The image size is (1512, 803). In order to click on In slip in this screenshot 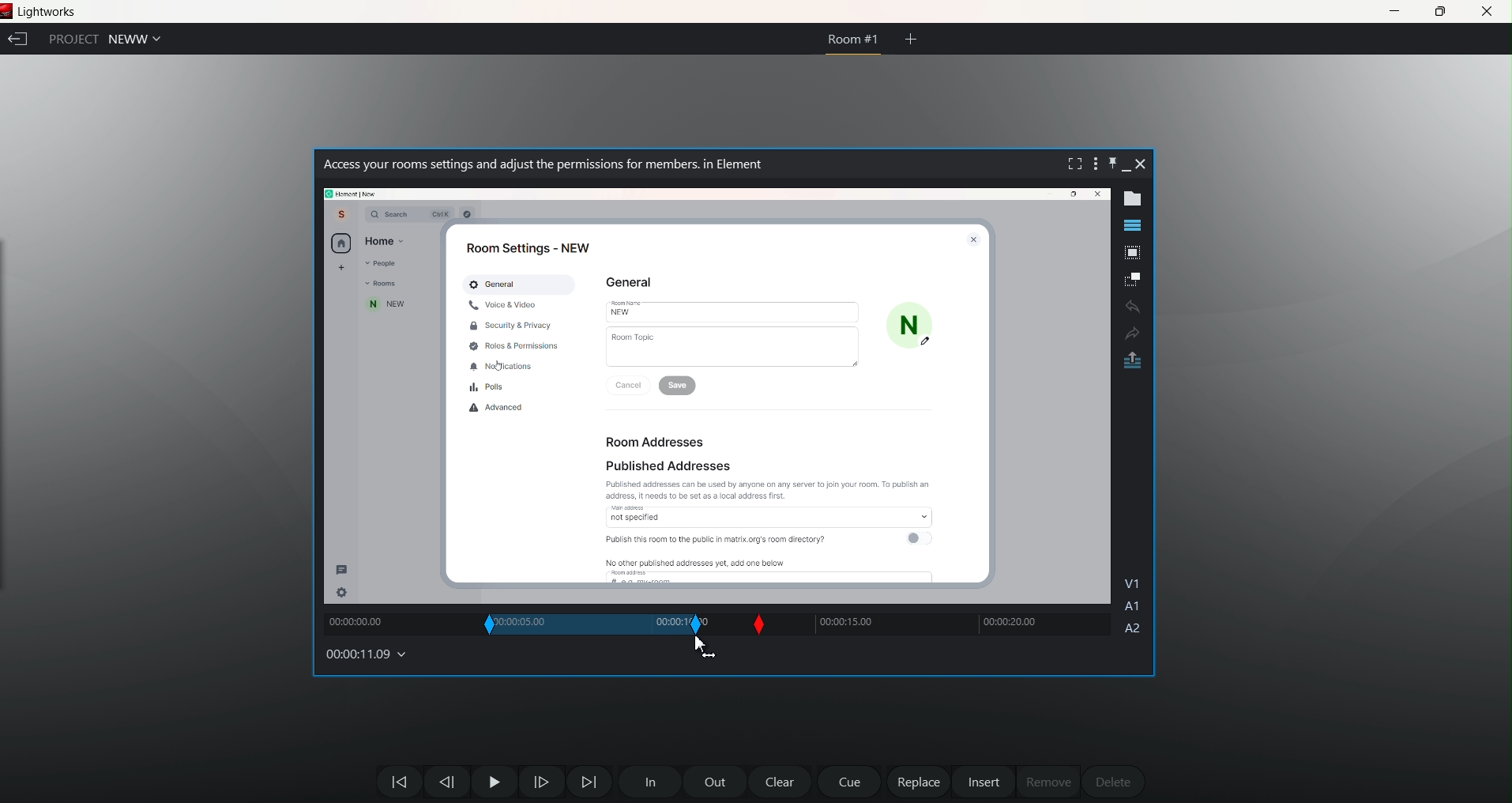, I will do `click(480, 624)`.